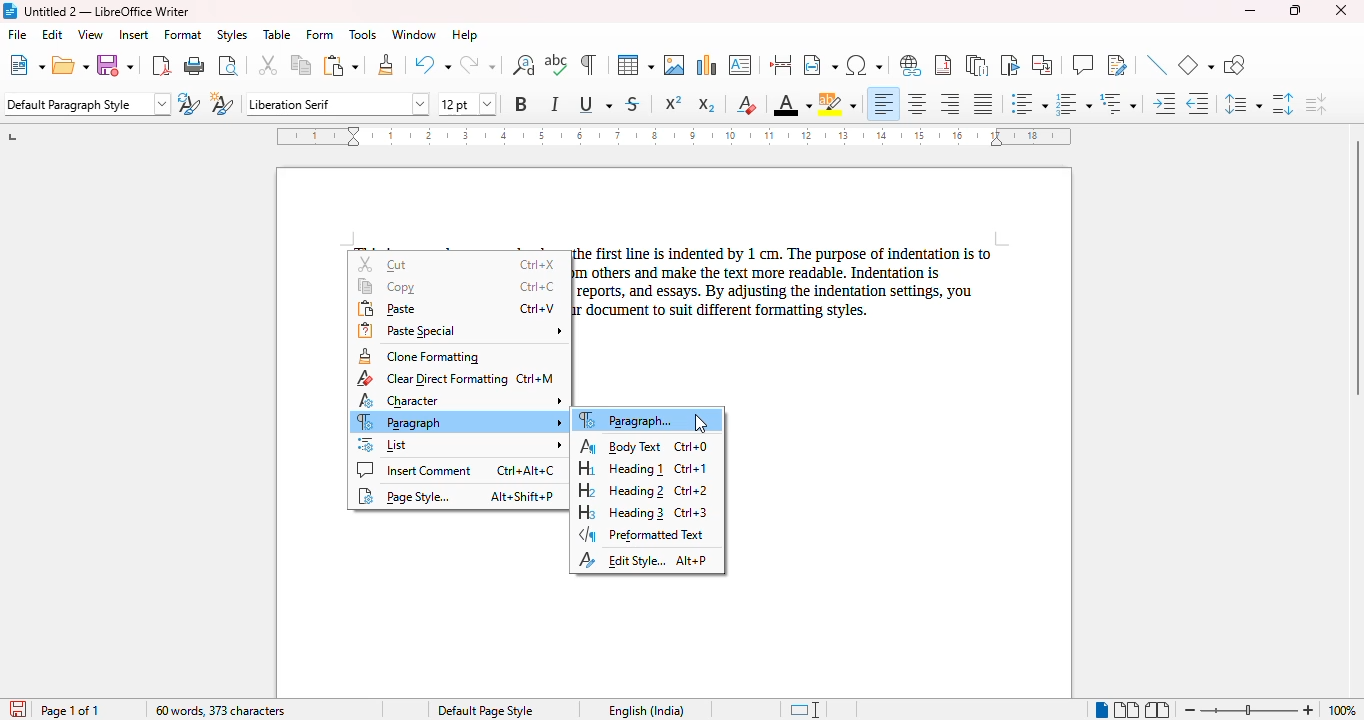  Describe the element at coordinates (1074, 103) in the screenshot. I see `toggle ordered list` at that location.